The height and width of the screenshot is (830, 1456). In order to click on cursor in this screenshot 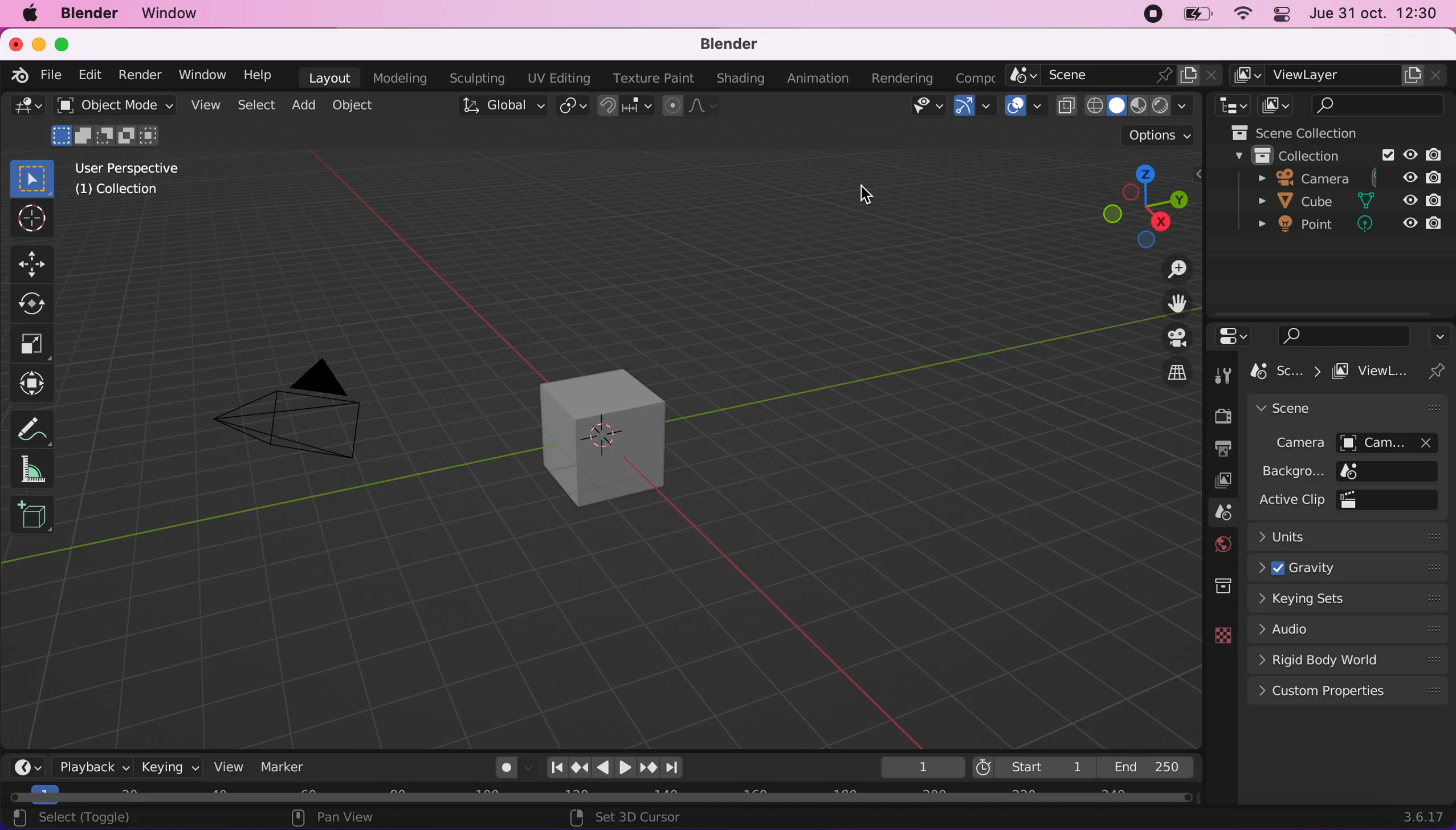, I will do `click(867, 196)`.